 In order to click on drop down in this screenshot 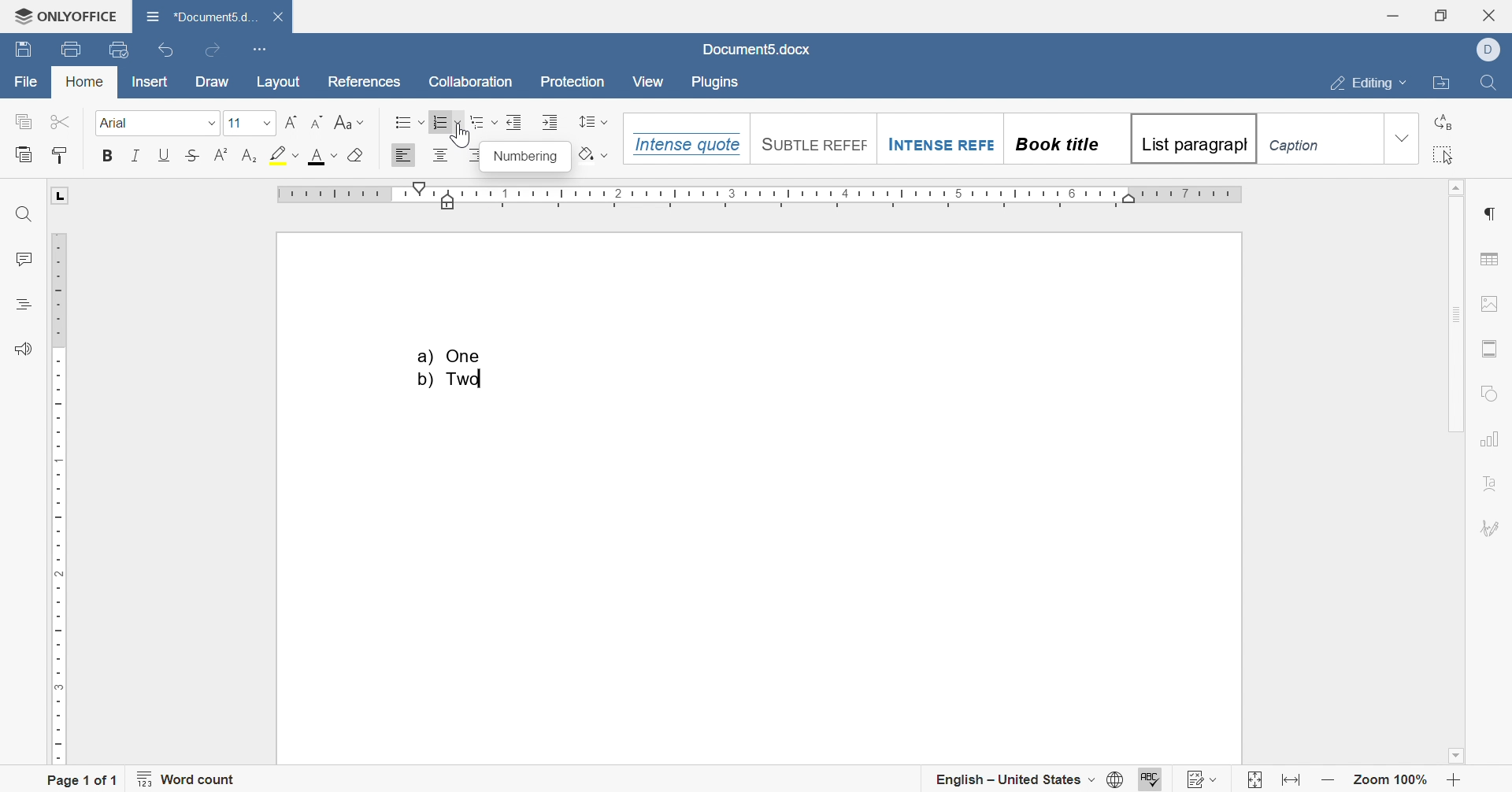, I will do `click(212, 123)`.